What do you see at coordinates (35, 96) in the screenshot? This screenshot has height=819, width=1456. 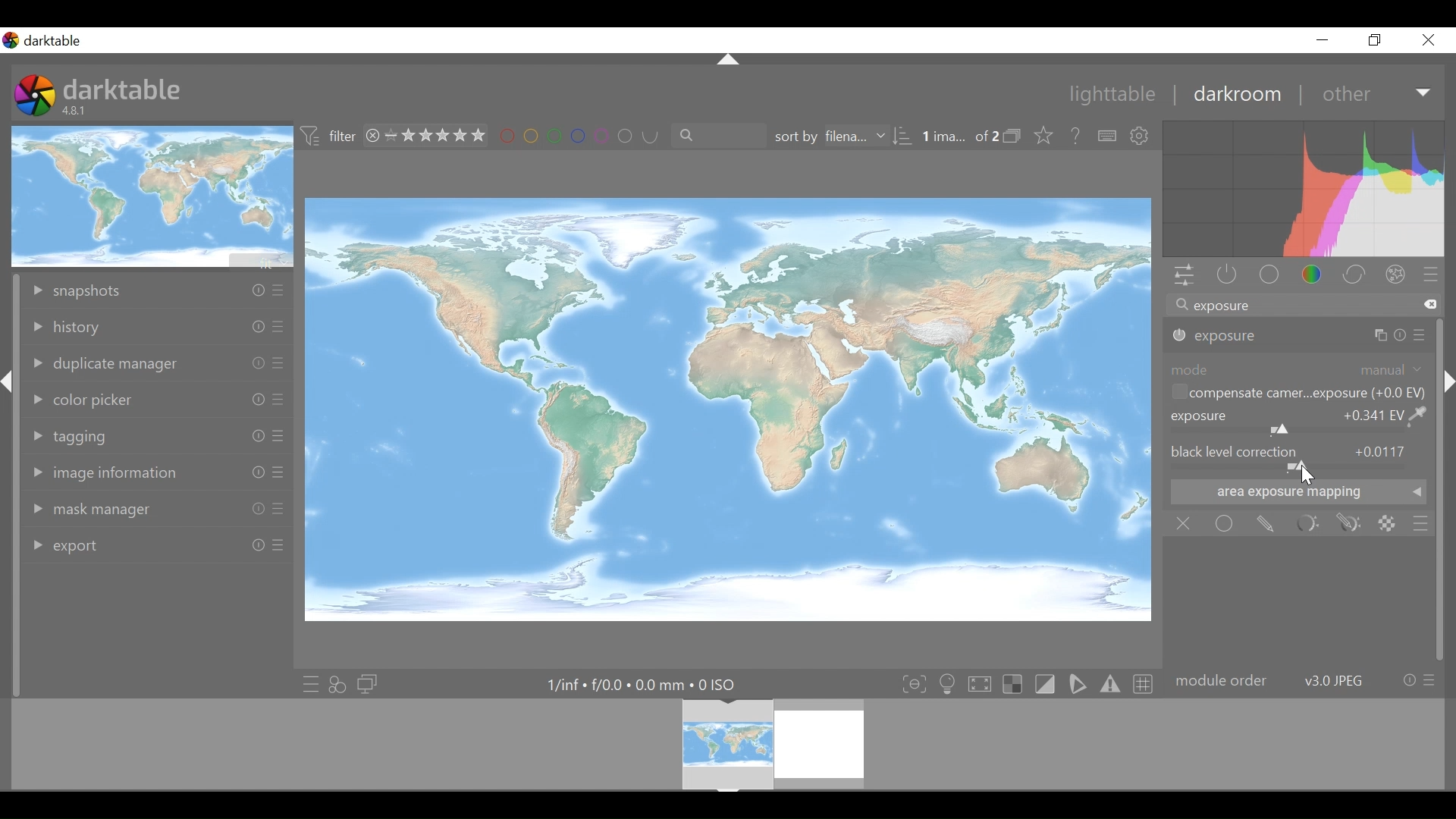 I see `darktable desktop icon` at bounding box center [35, 96].